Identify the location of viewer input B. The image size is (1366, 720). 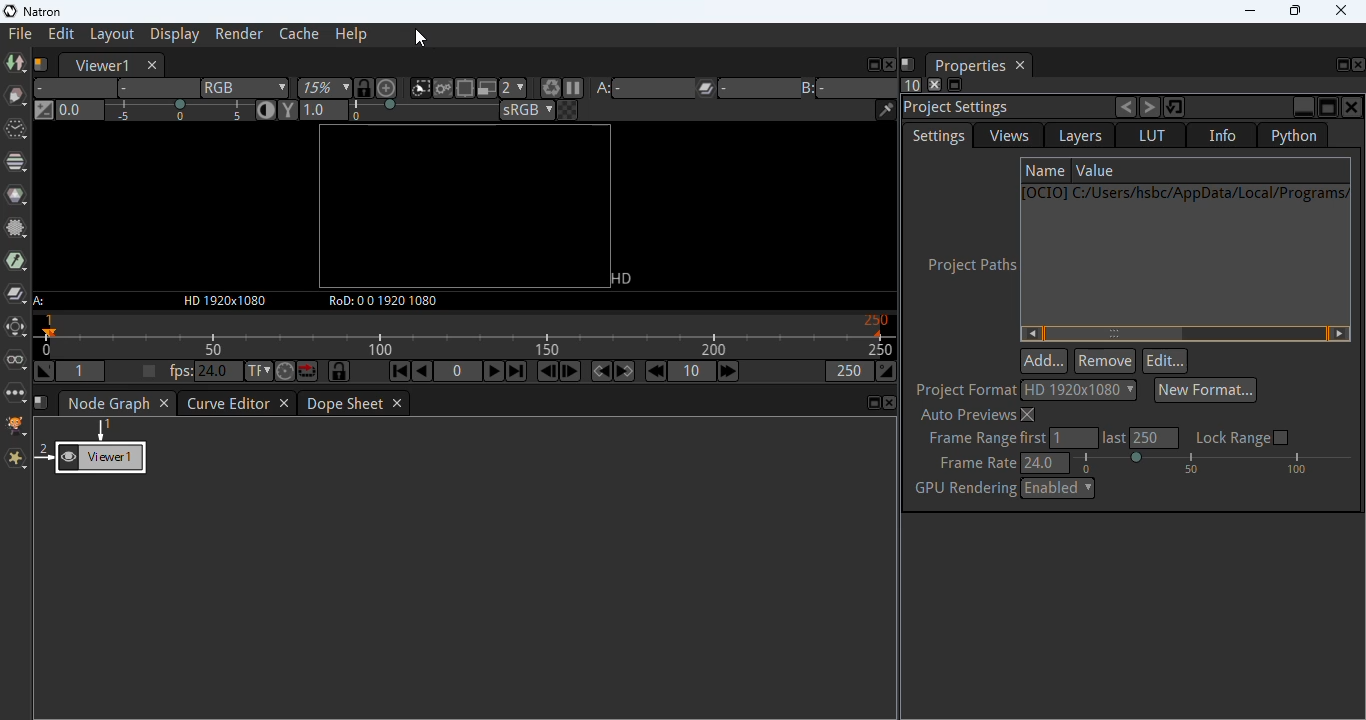
(850, 87).